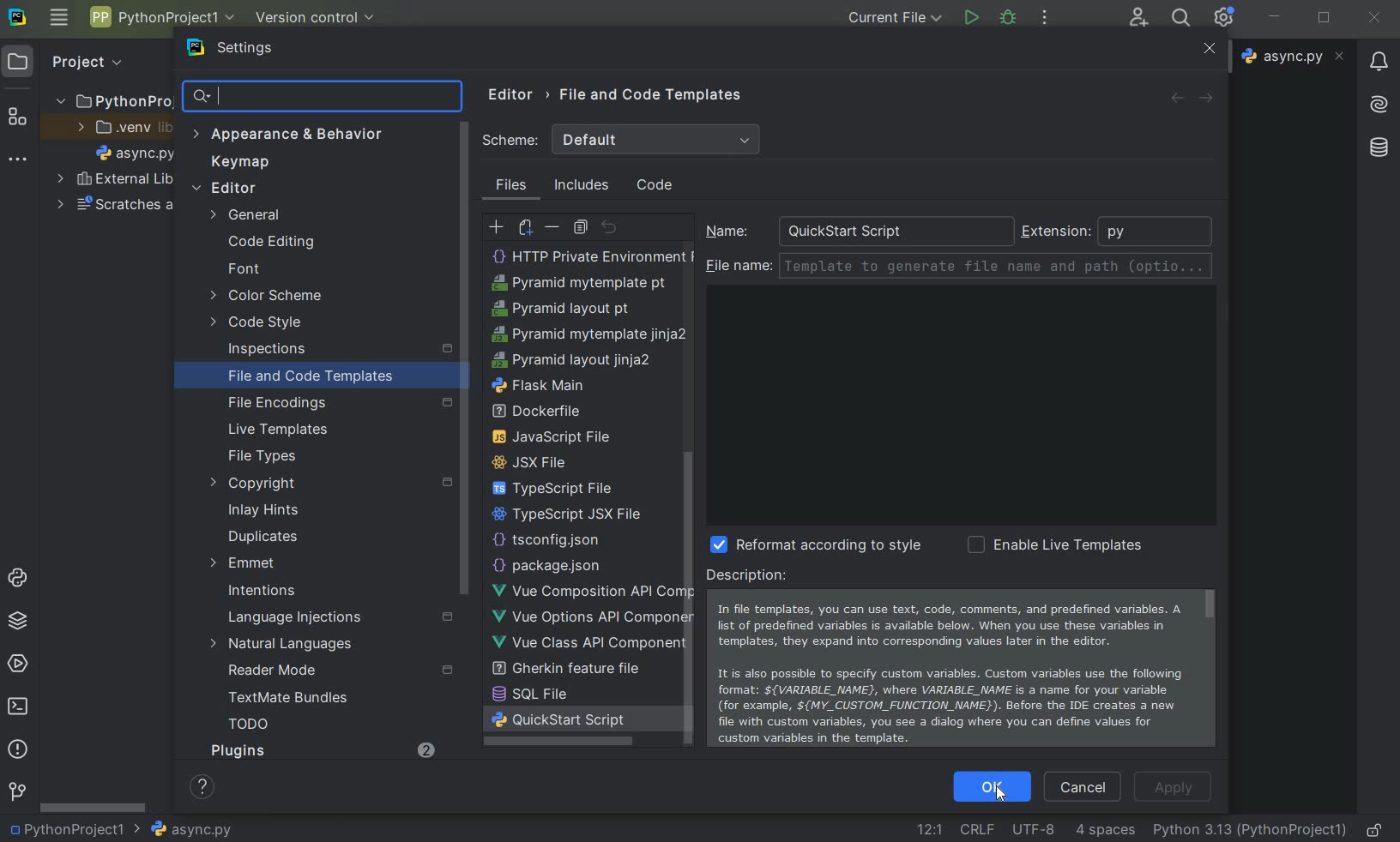  Describe the element at coordinates (316, 17) in the screenshot. I see `version control` at that location.